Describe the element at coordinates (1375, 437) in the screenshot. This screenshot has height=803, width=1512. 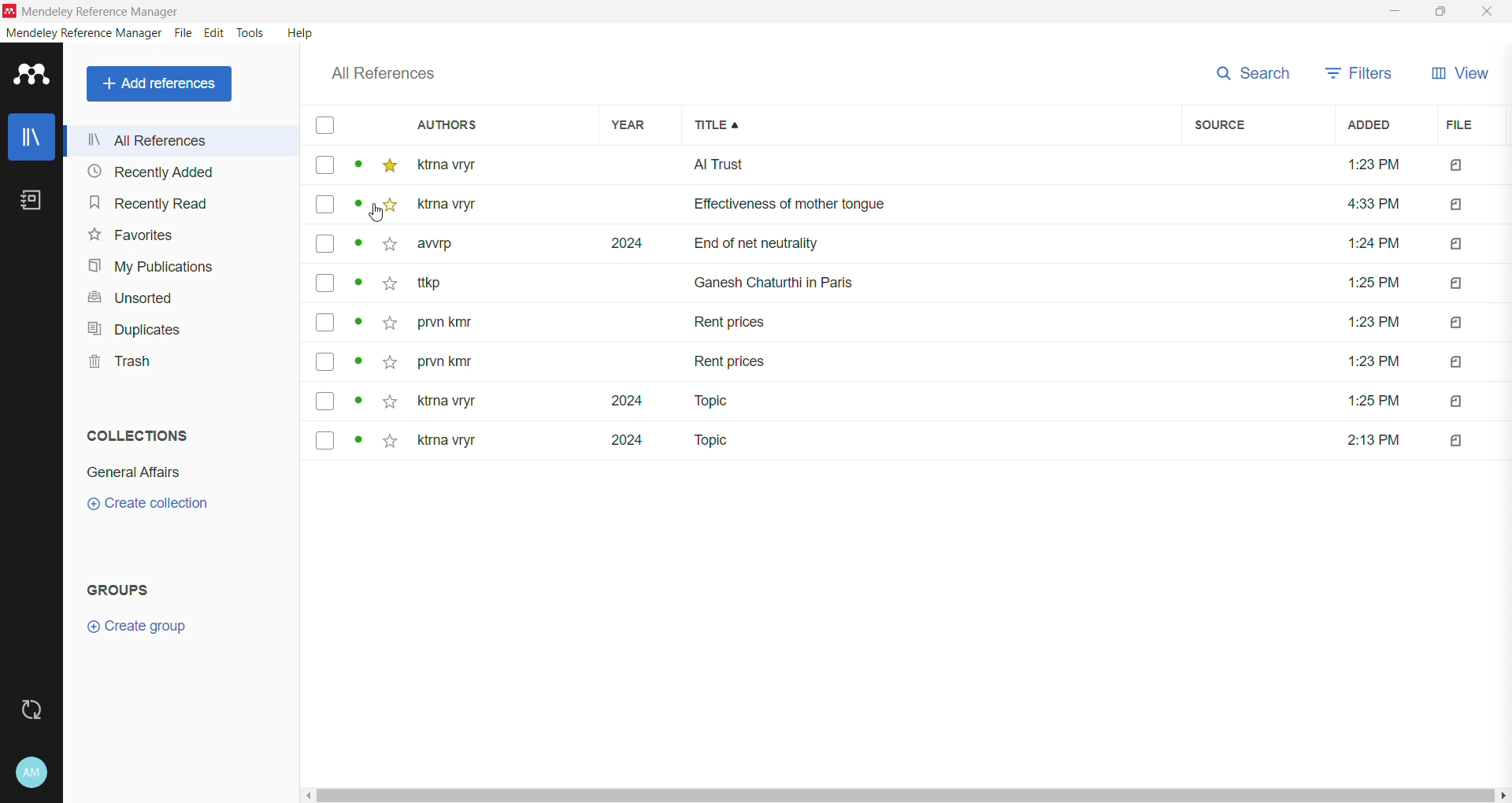
I see `` at that location.